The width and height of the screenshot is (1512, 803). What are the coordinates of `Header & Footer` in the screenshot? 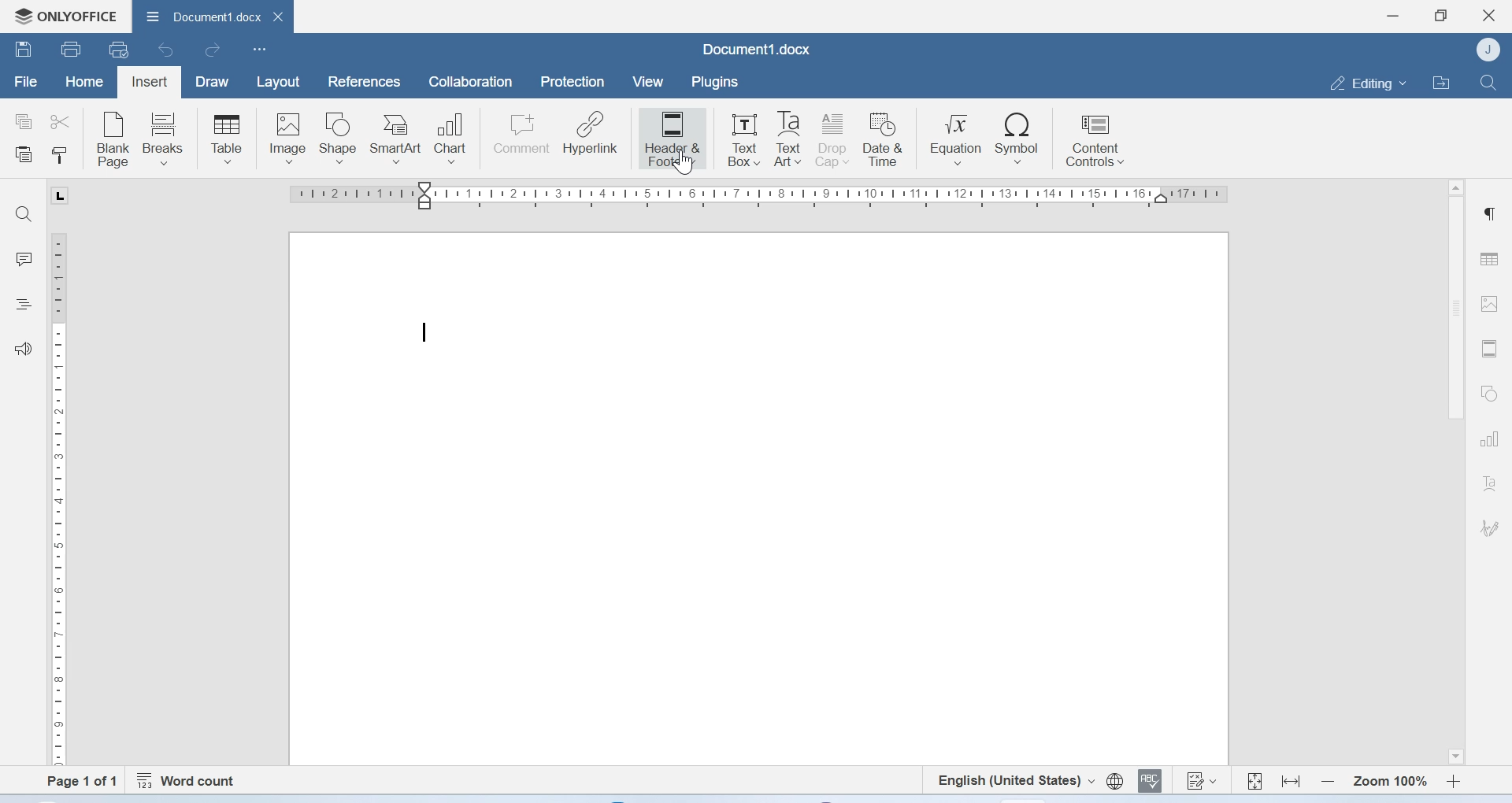 It's located at (672, 138).